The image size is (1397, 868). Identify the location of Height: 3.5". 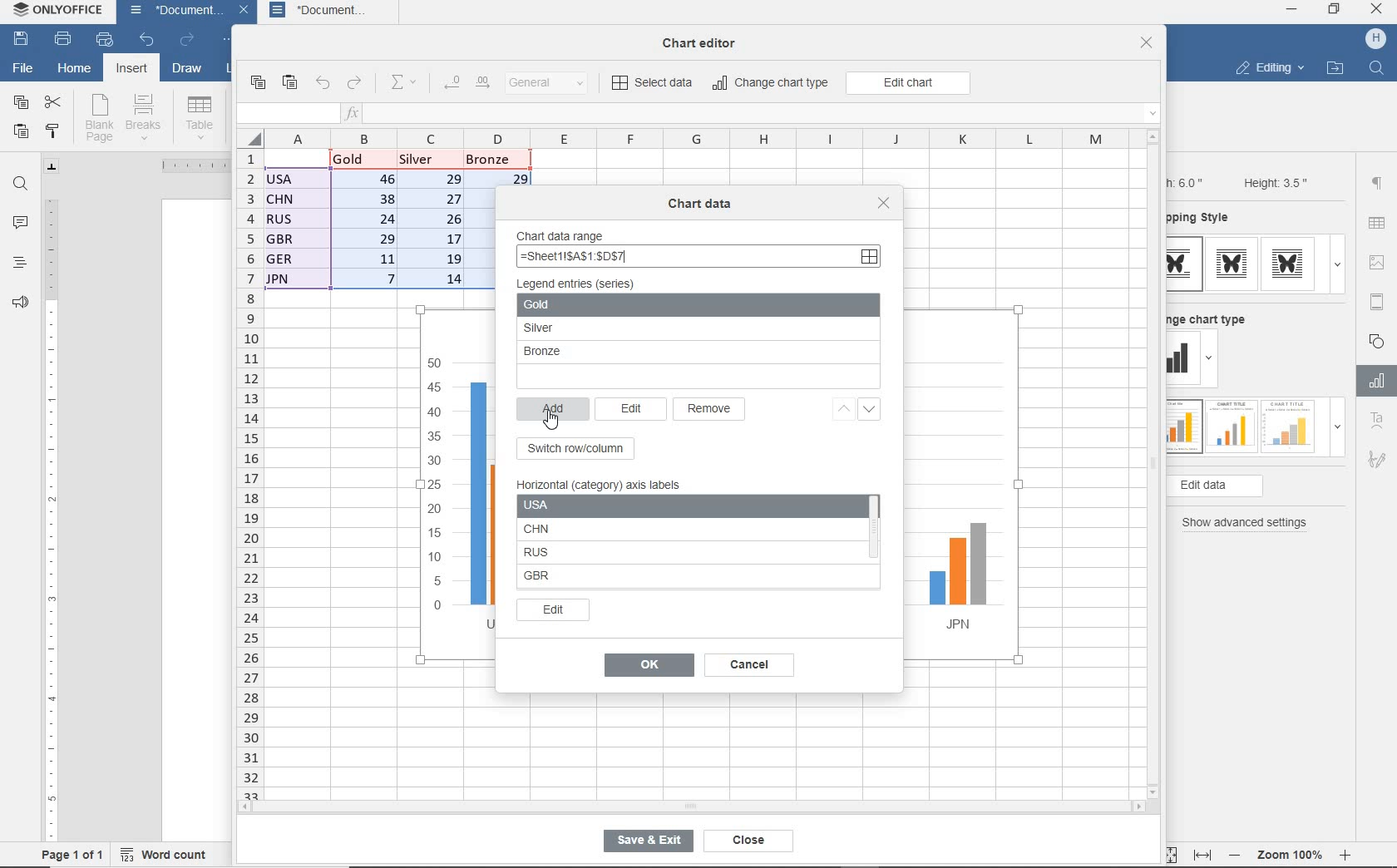
(1283, 184).